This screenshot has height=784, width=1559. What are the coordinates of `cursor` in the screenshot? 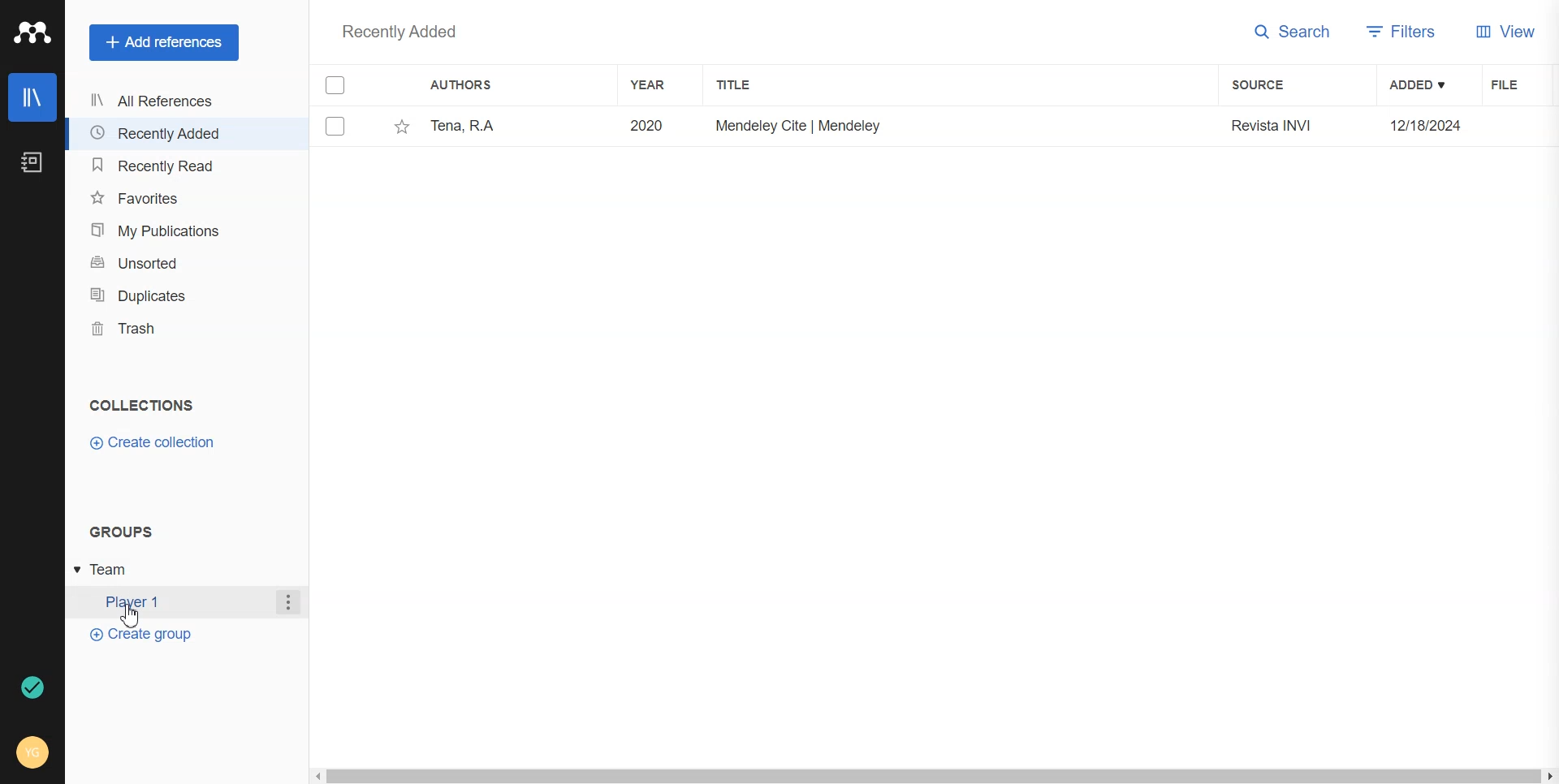 It's located at (131, 618).